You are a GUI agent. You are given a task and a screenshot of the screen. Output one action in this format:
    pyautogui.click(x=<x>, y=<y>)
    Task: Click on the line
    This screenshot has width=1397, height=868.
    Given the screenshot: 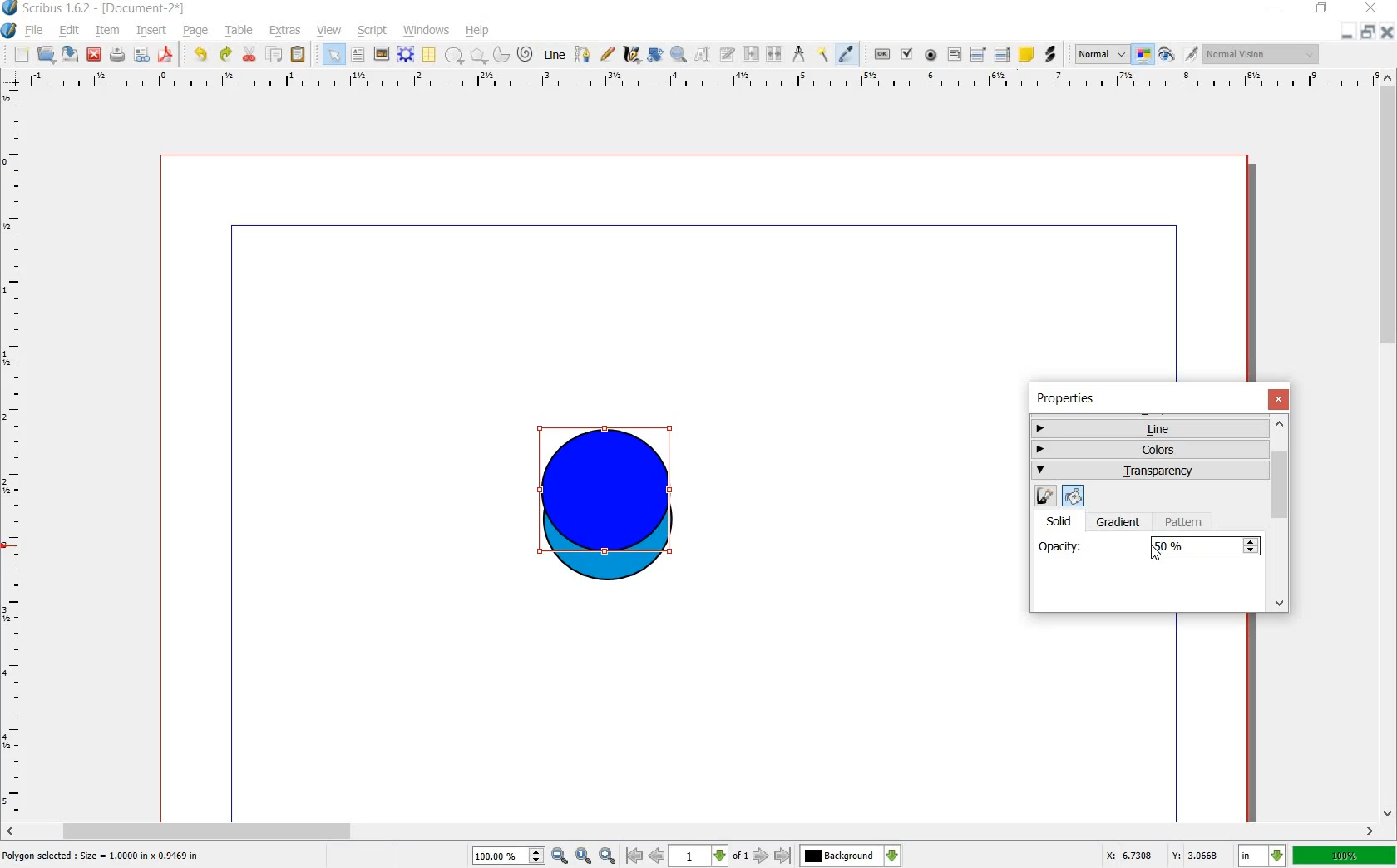 What is the action you would take?
    pyautogui.click(x=1148, y=428)
    